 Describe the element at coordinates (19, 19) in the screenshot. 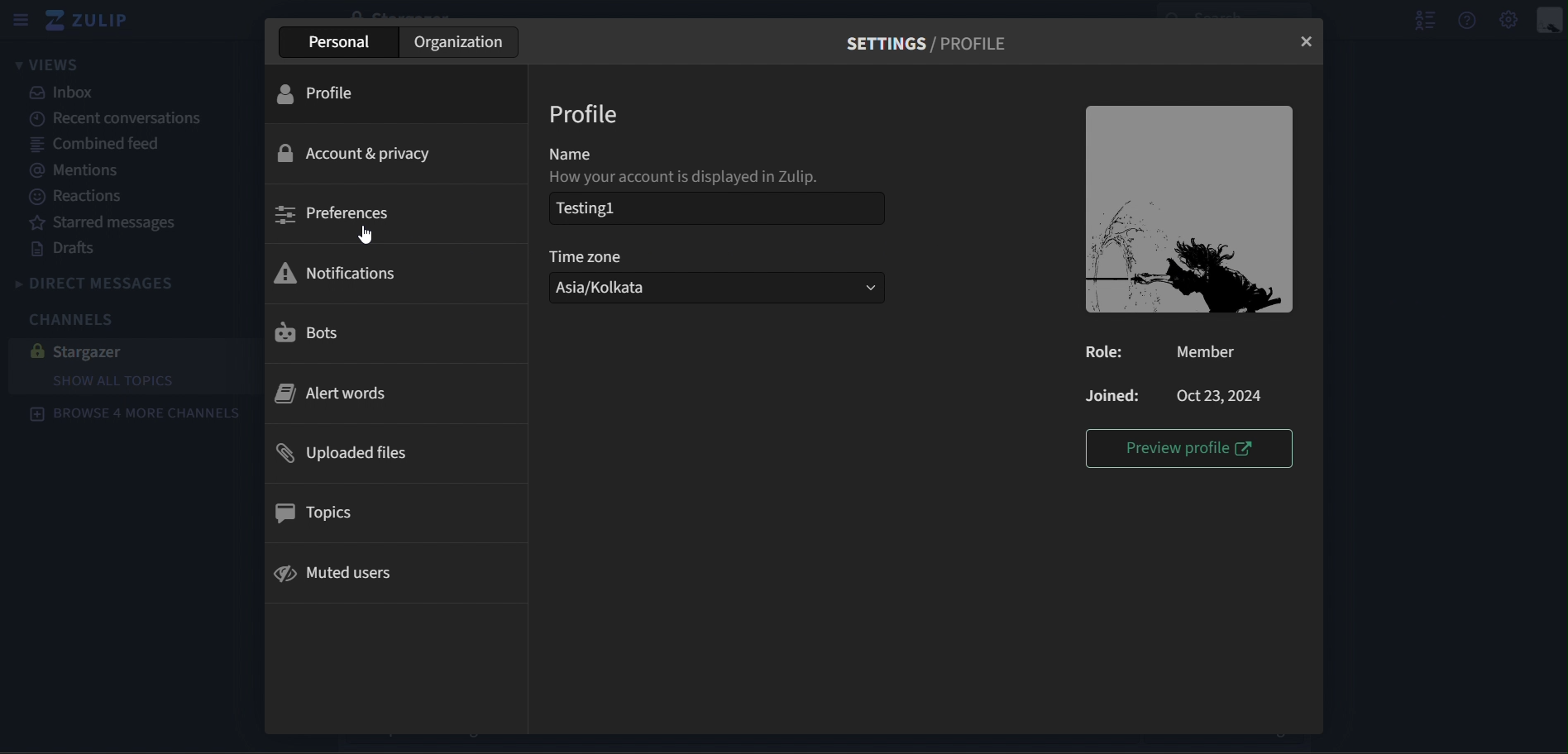

I see `hide sidebar` at that location.